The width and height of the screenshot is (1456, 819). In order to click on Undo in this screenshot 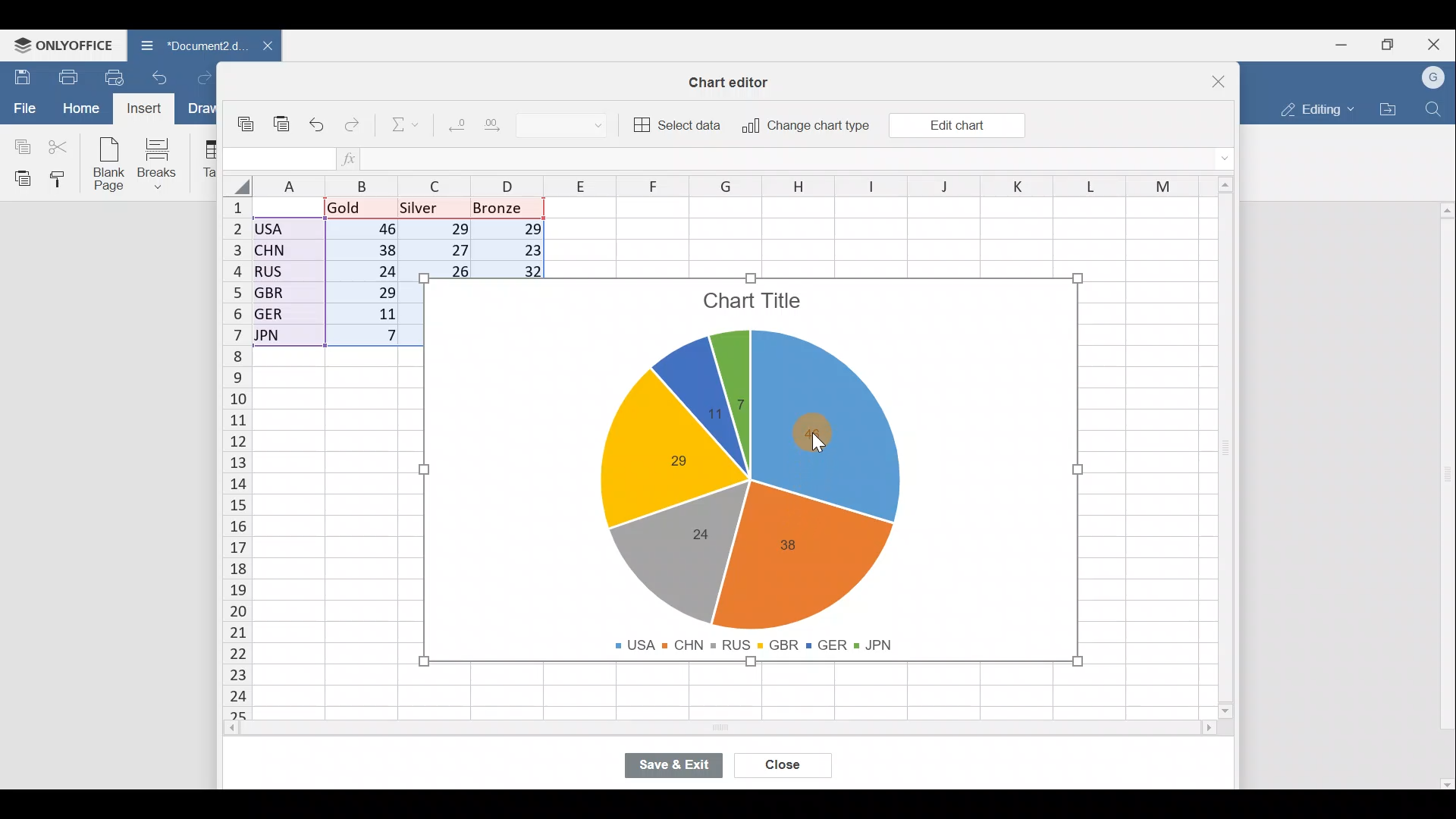, I will do `click(320, 126)`.